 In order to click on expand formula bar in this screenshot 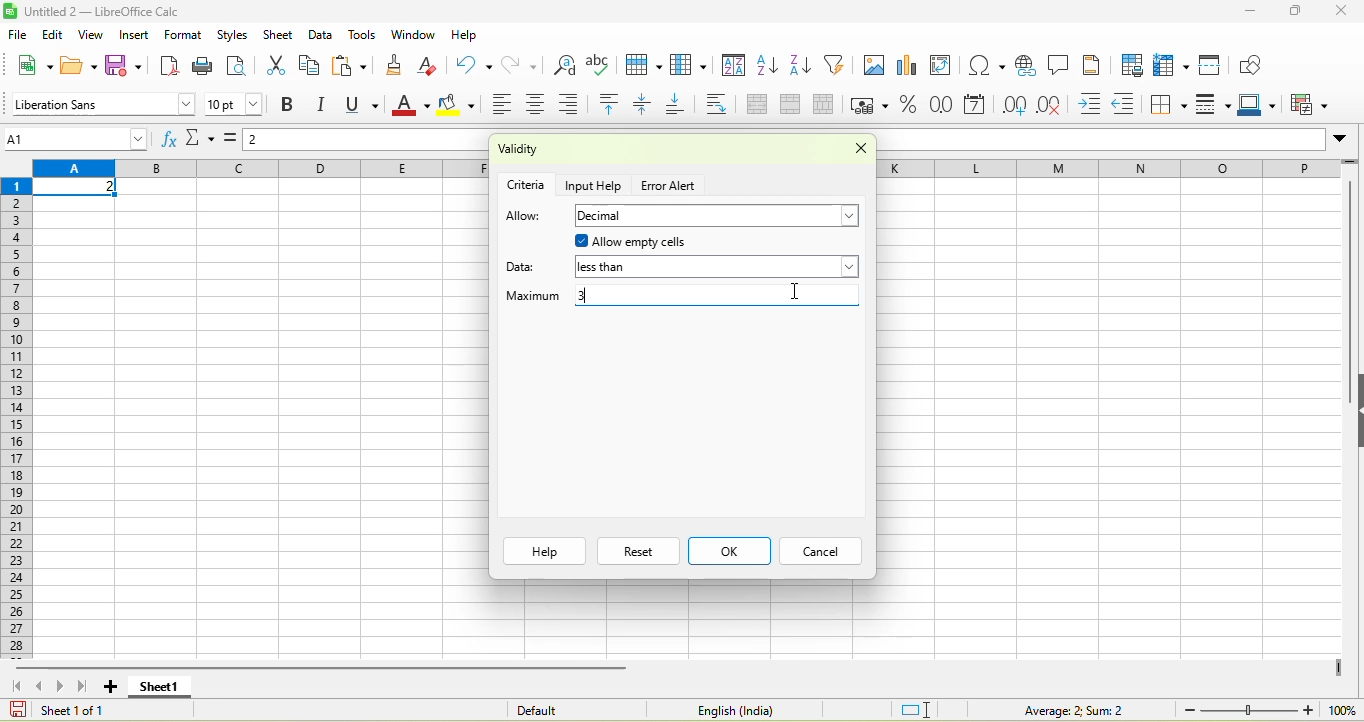, I will do `click(1345, 142)`.